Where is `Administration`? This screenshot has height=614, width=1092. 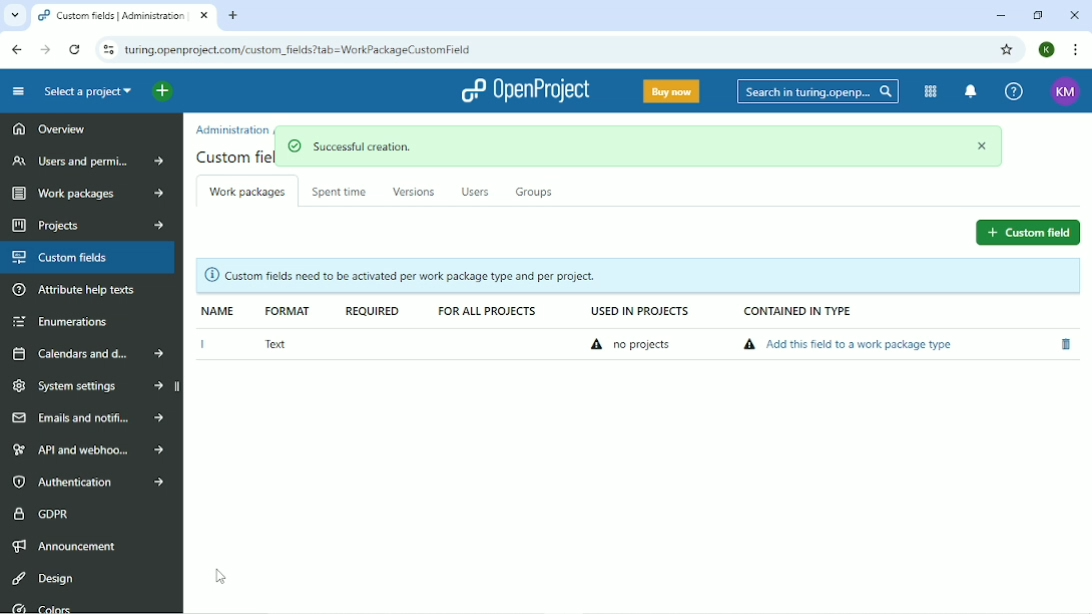
Administration is located at coordinates (231, 129).